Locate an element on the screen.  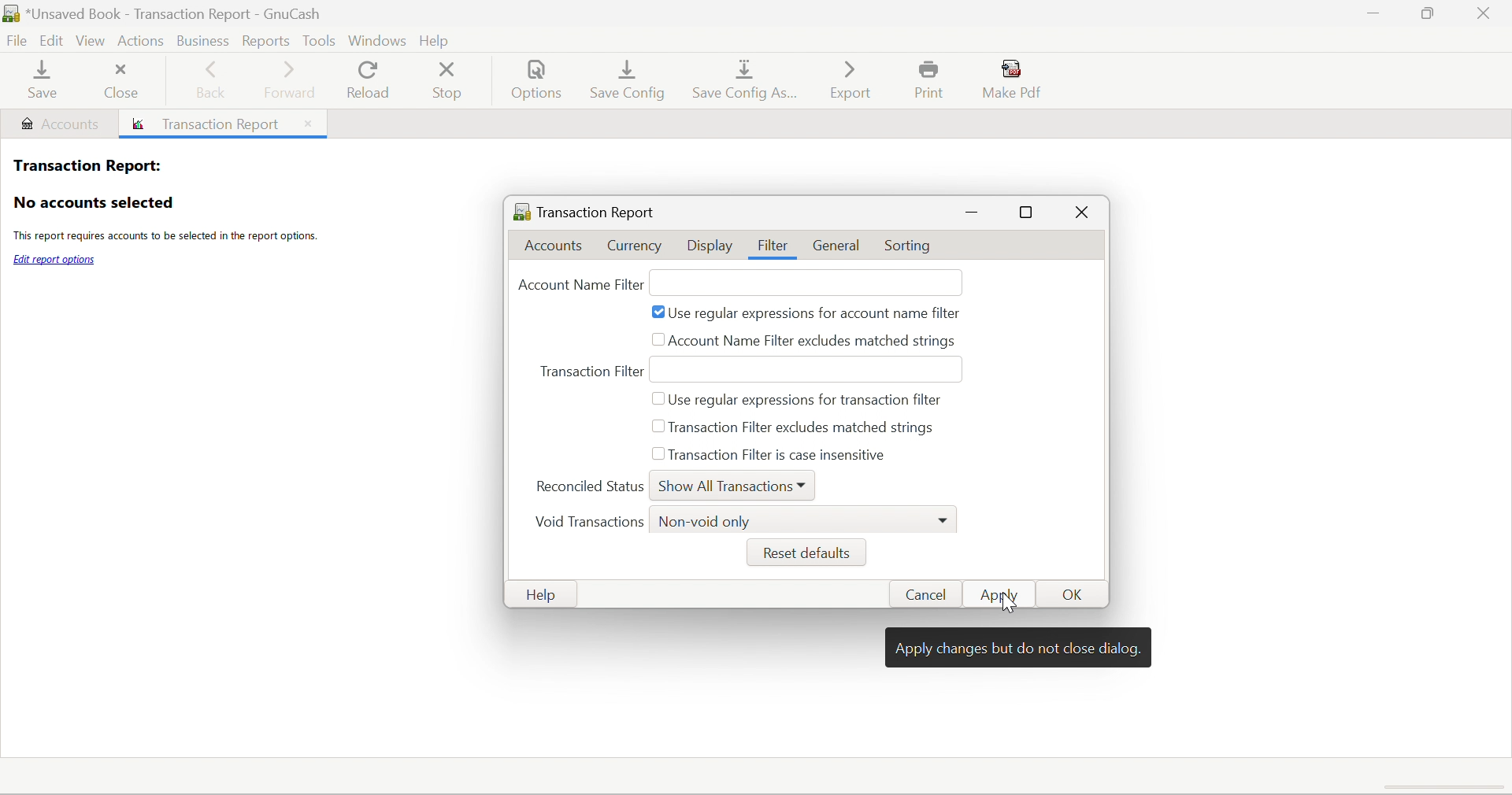
Transaction Report: is located at coordinates (86, 164).